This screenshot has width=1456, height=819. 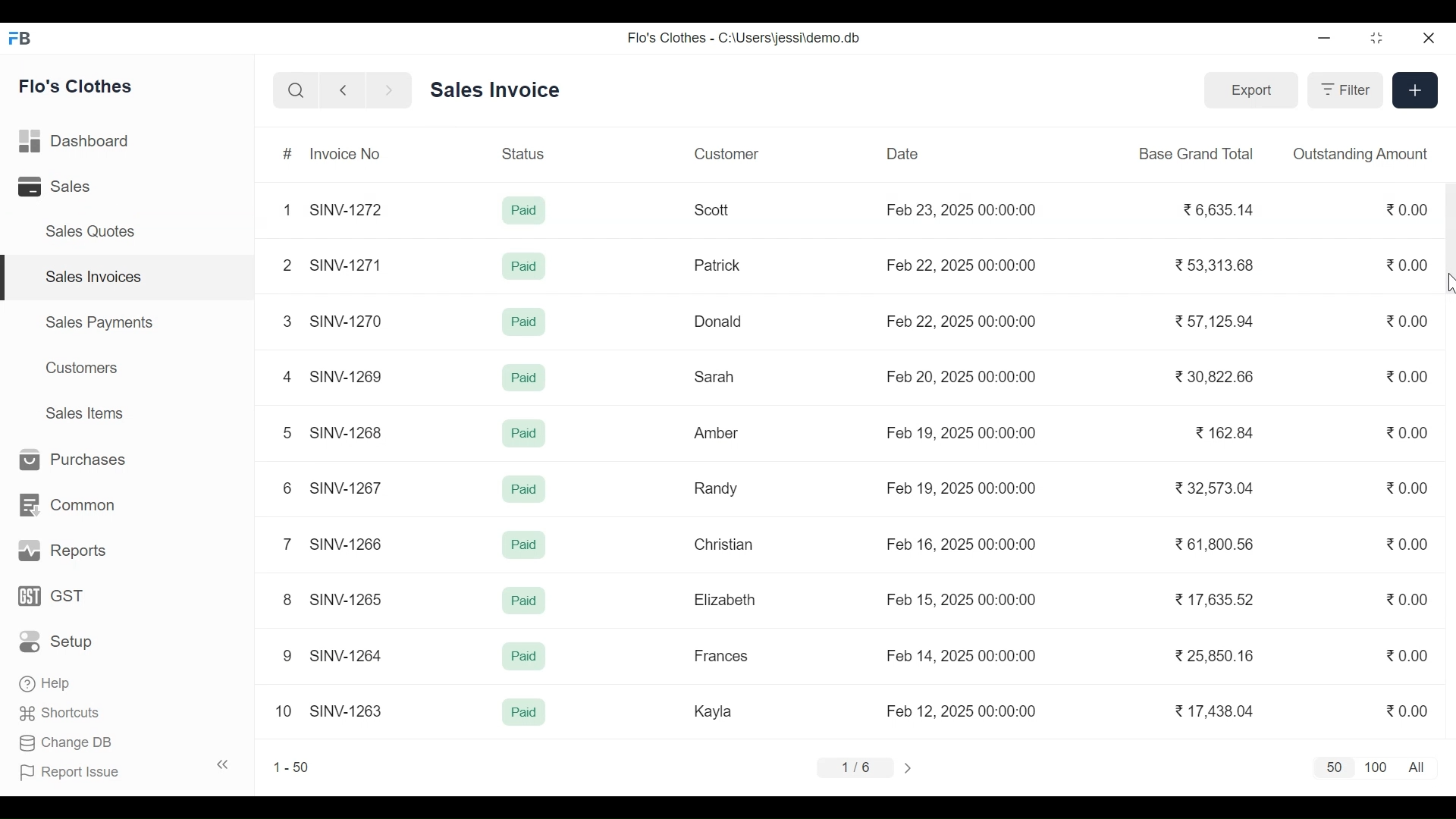 I want to click on ‘Help, so click(x=48, y=683).